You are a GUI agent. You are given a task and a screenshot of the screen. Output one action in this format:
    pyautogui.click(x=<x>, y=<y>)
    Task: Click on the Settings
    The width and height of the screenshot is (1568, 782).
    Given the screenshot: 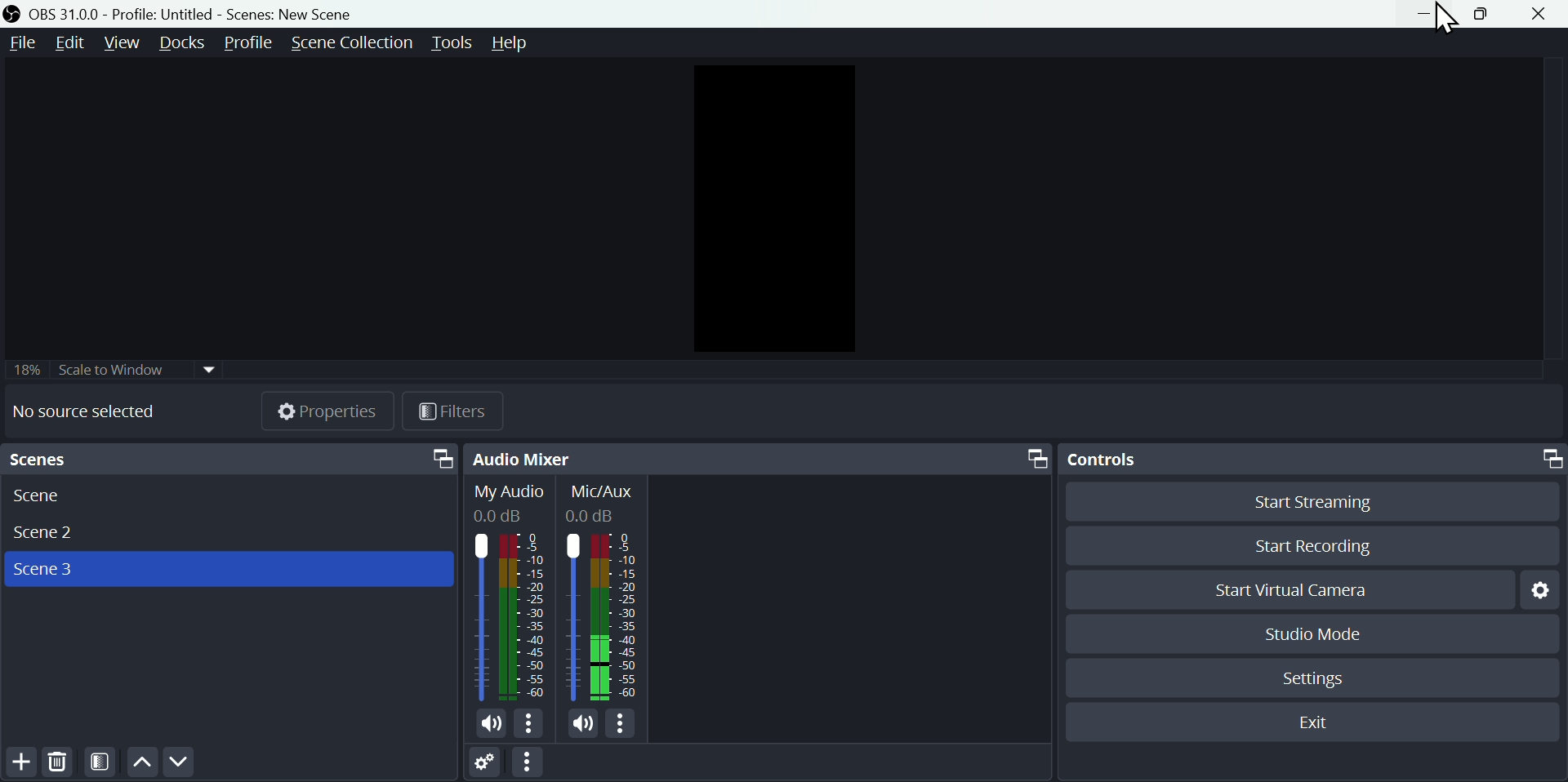 What is the action you would take?
    pyautogui.click(x=1543, y=591)
    